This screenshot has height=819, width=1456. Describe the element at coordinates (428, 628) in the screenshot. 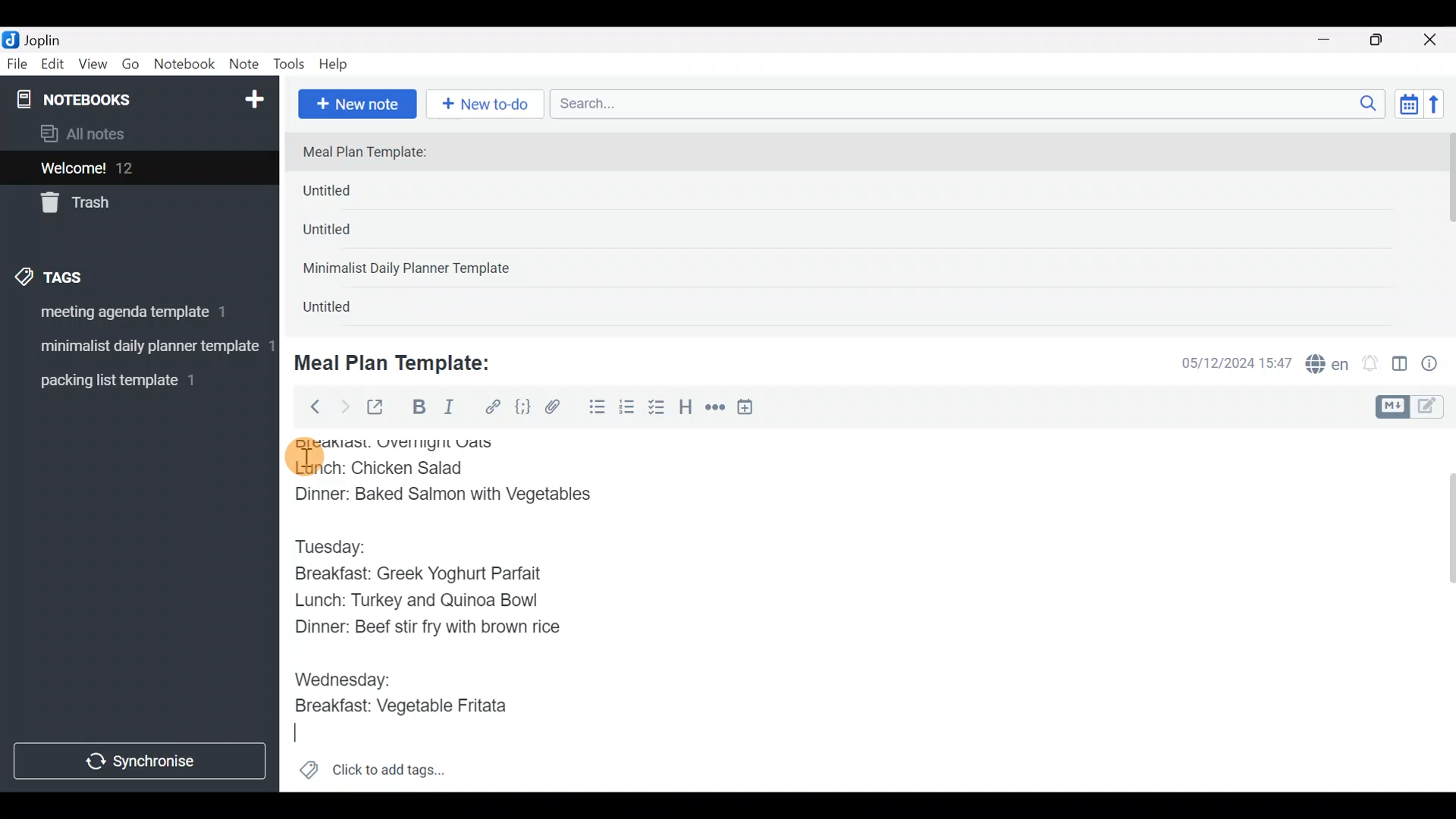

I see `Dinner: Beef stir fry with brown rice` at that location.